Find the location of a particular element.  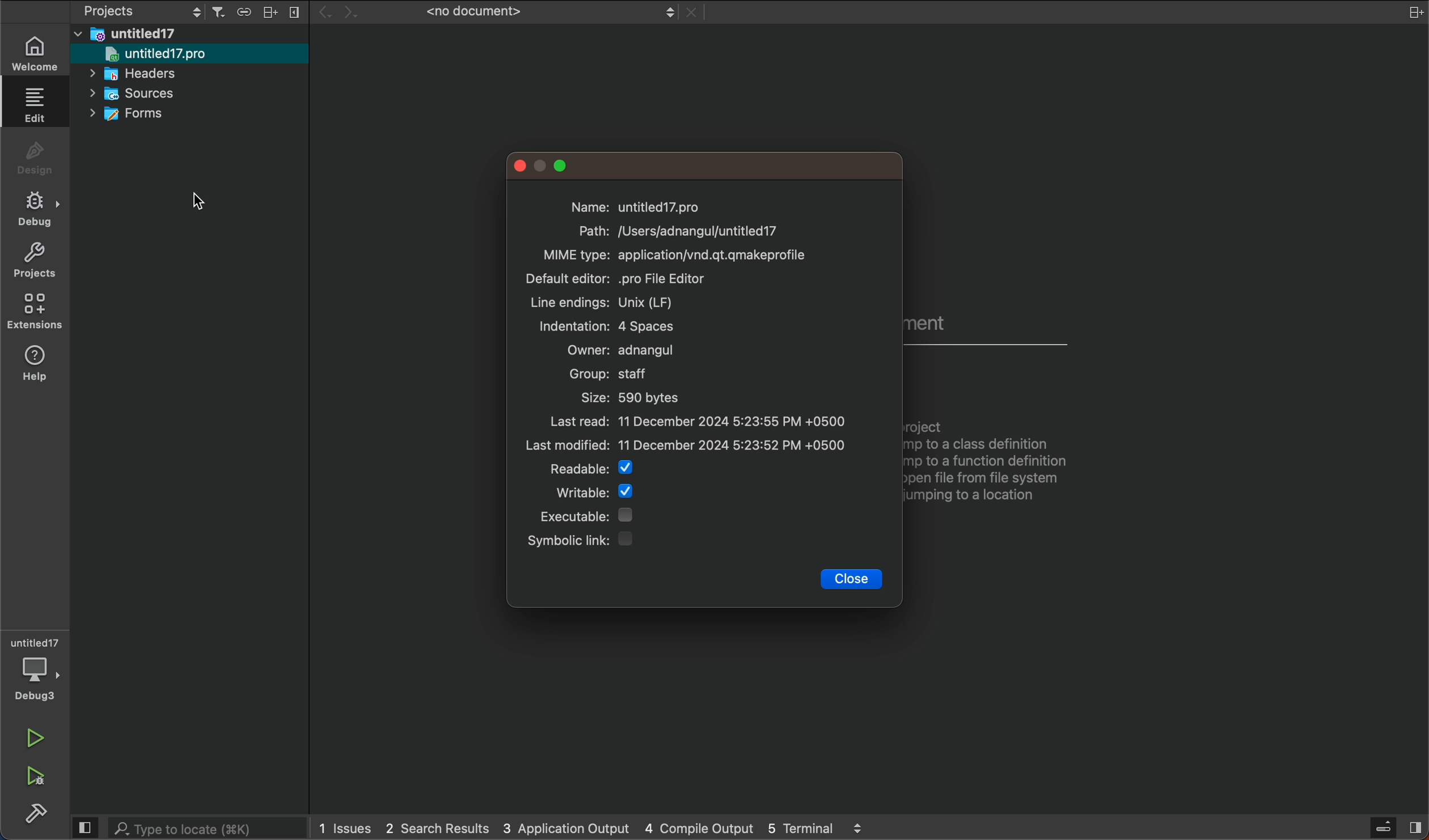

sources is located at coordinates (141, 93).